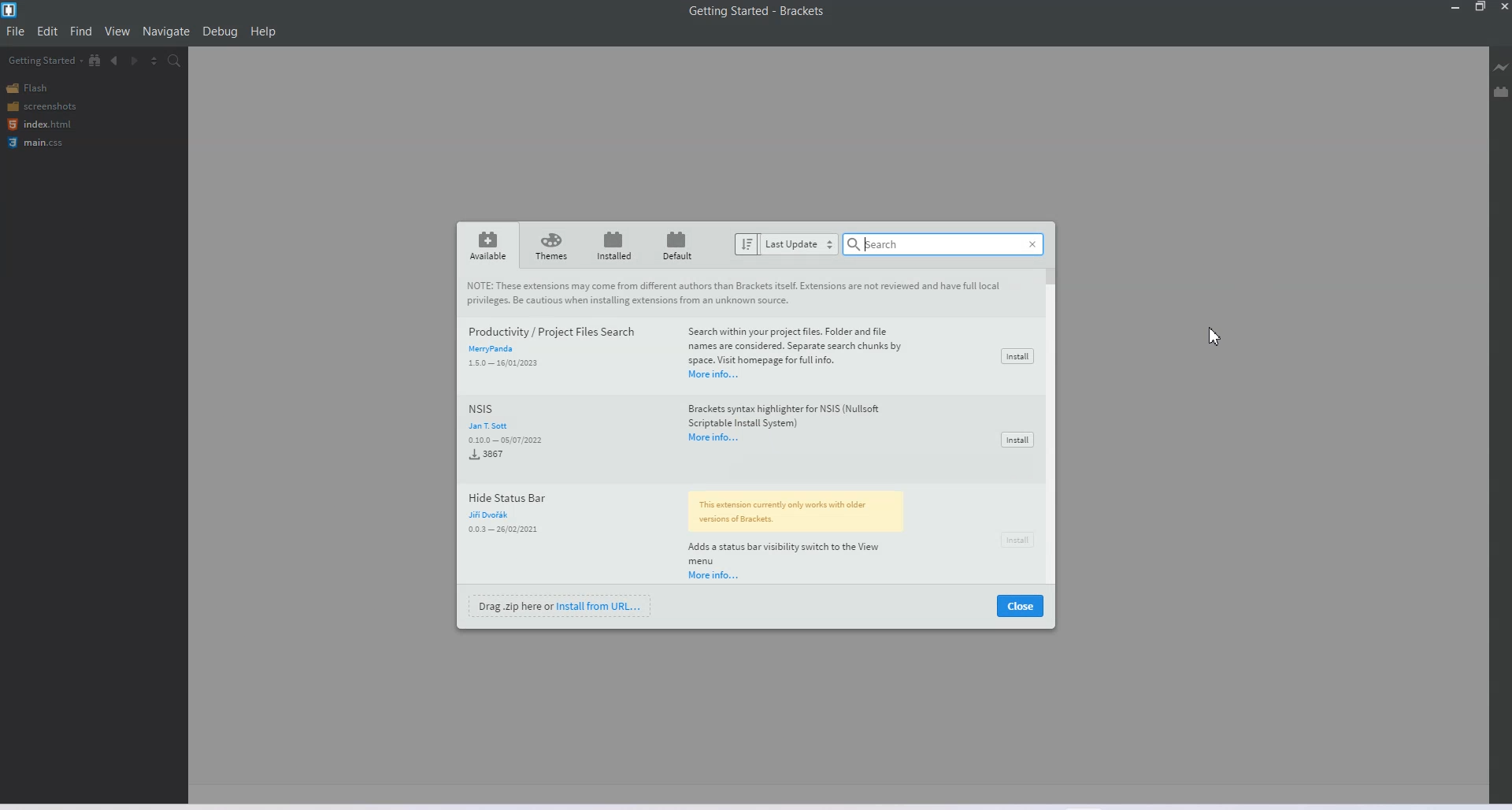 The width and height of the screenshot is (1512, 810). I want to click on sort, so click(747, 245).